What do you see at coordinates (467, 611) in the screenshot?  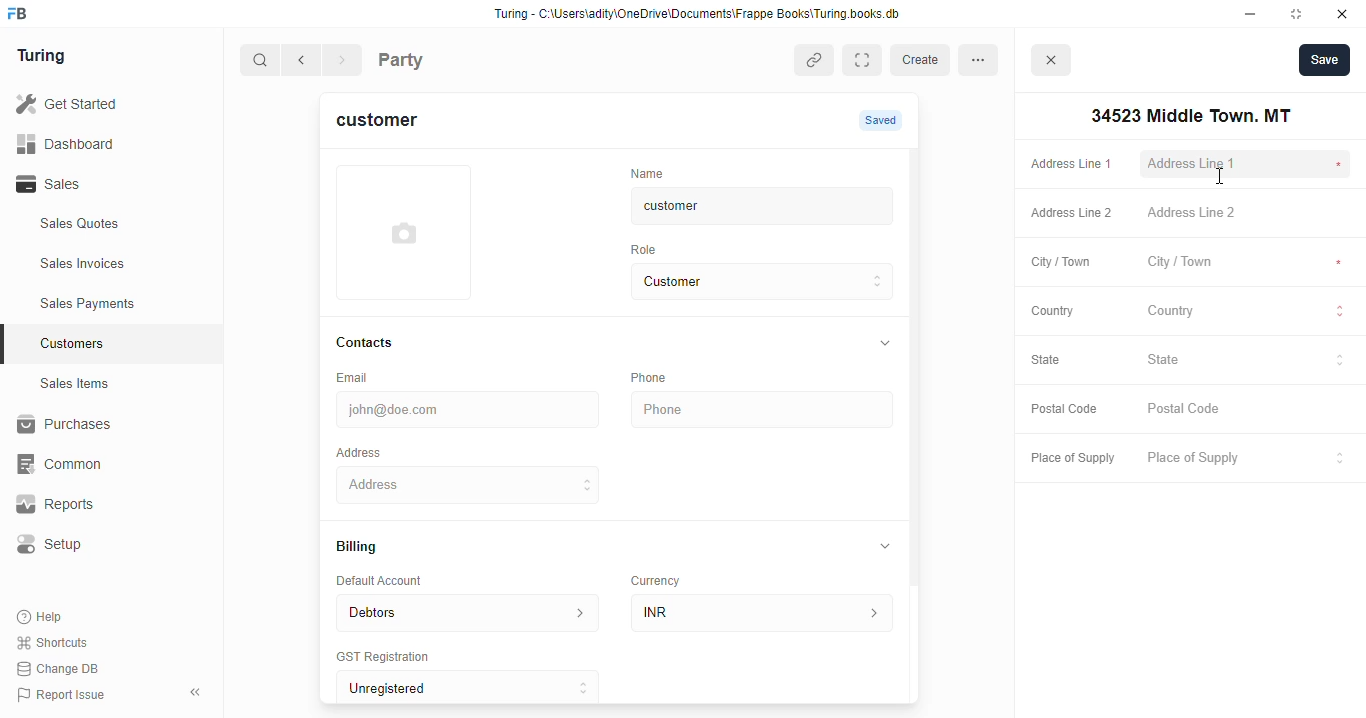 I see `Debtors` at bounding box center [467, 611].